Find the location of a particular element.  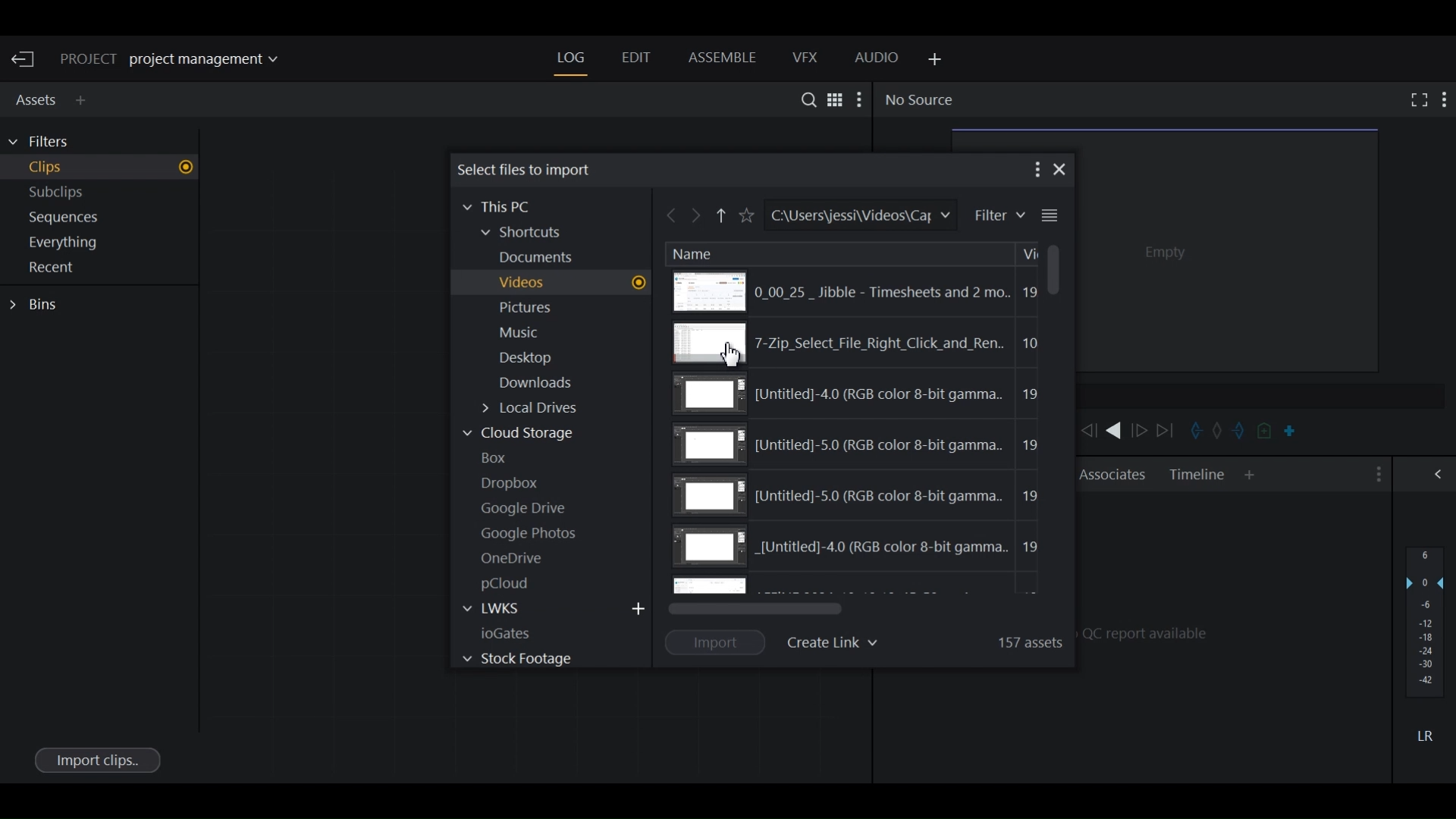

pCloud is located at coordinates (513, 583).